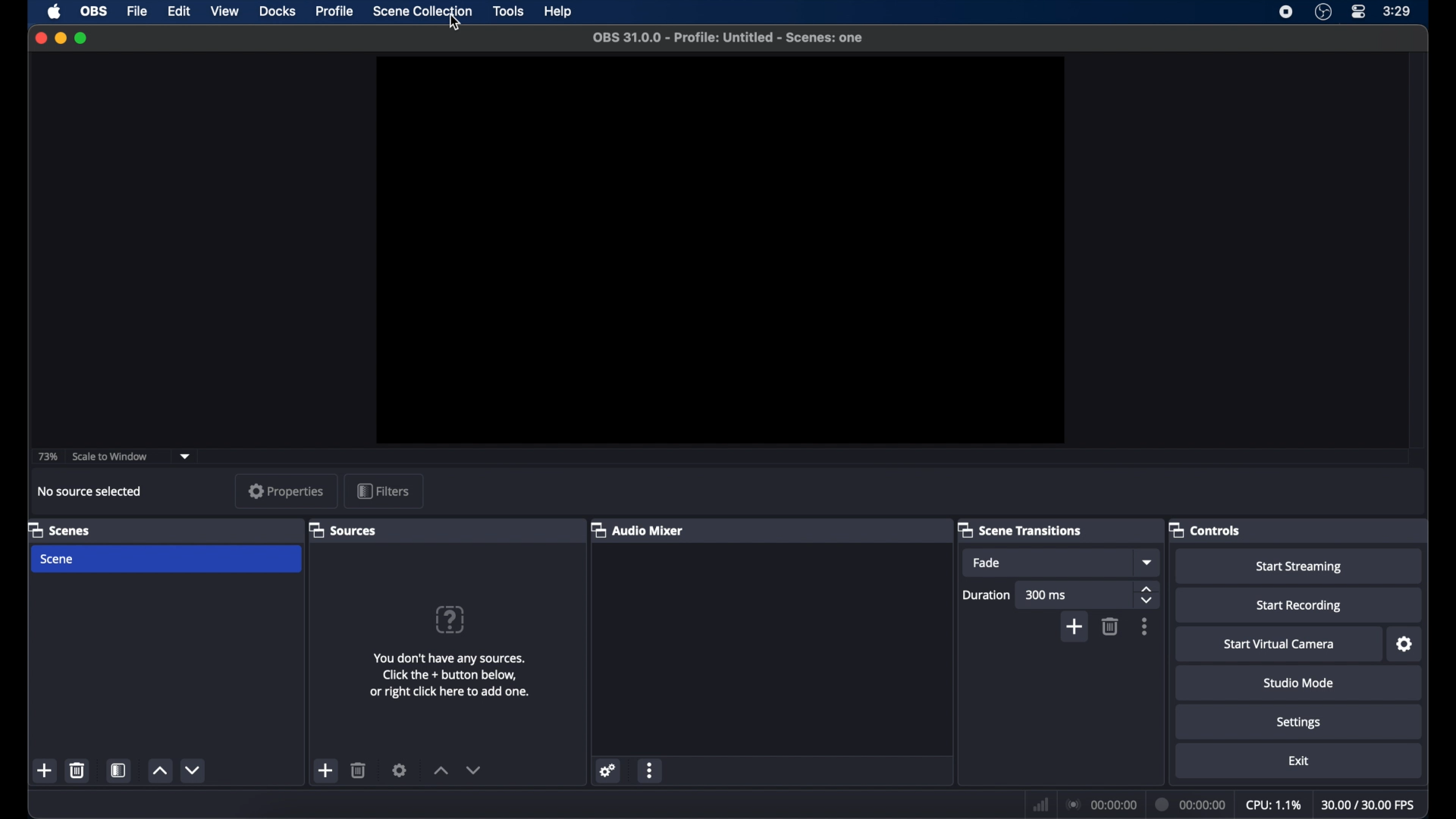 Image resolution: width=1456 pixels, height=819 pixels. Describe the element at coordinates (287, 491) in the screenshot. I see `properties` at that location.